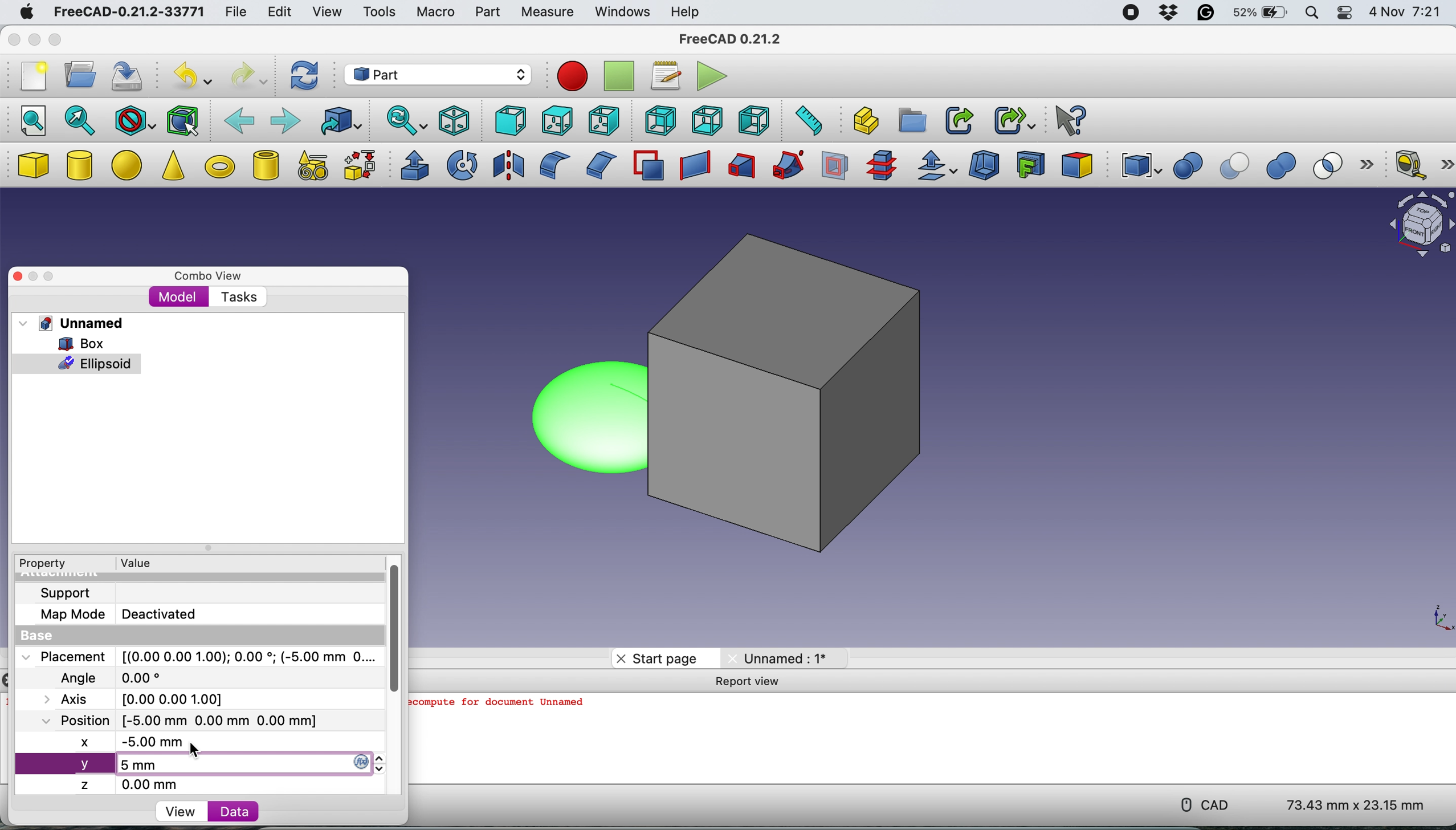 Image resolution: width=1456 pixels, height=830 pixels. Describe the element at coordinates (411, 165) in the screenshot. I see `extrude` at that location.